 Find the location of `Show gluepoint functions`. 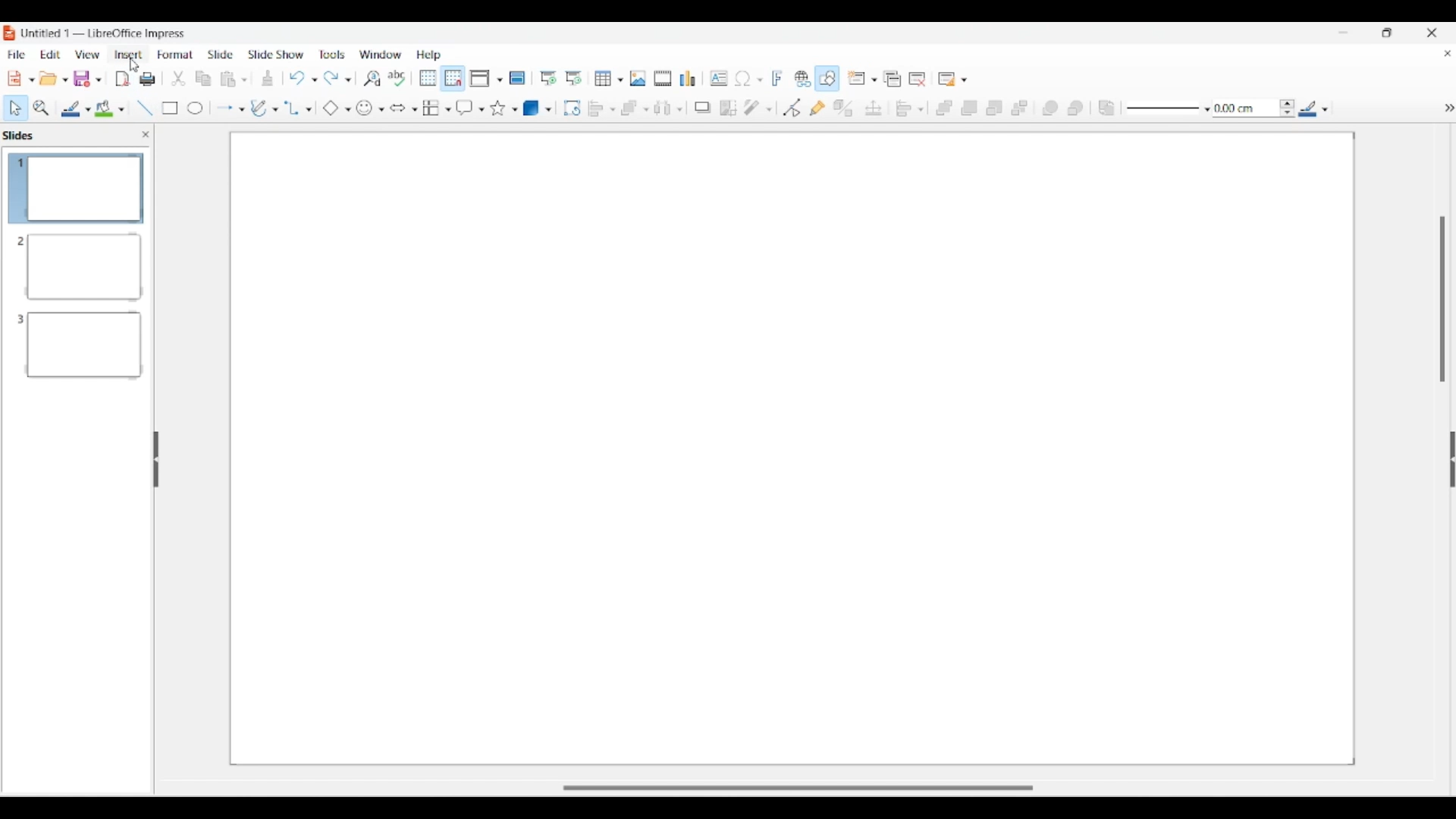

Show gluepoint functions is located at coordinates (817, 108).